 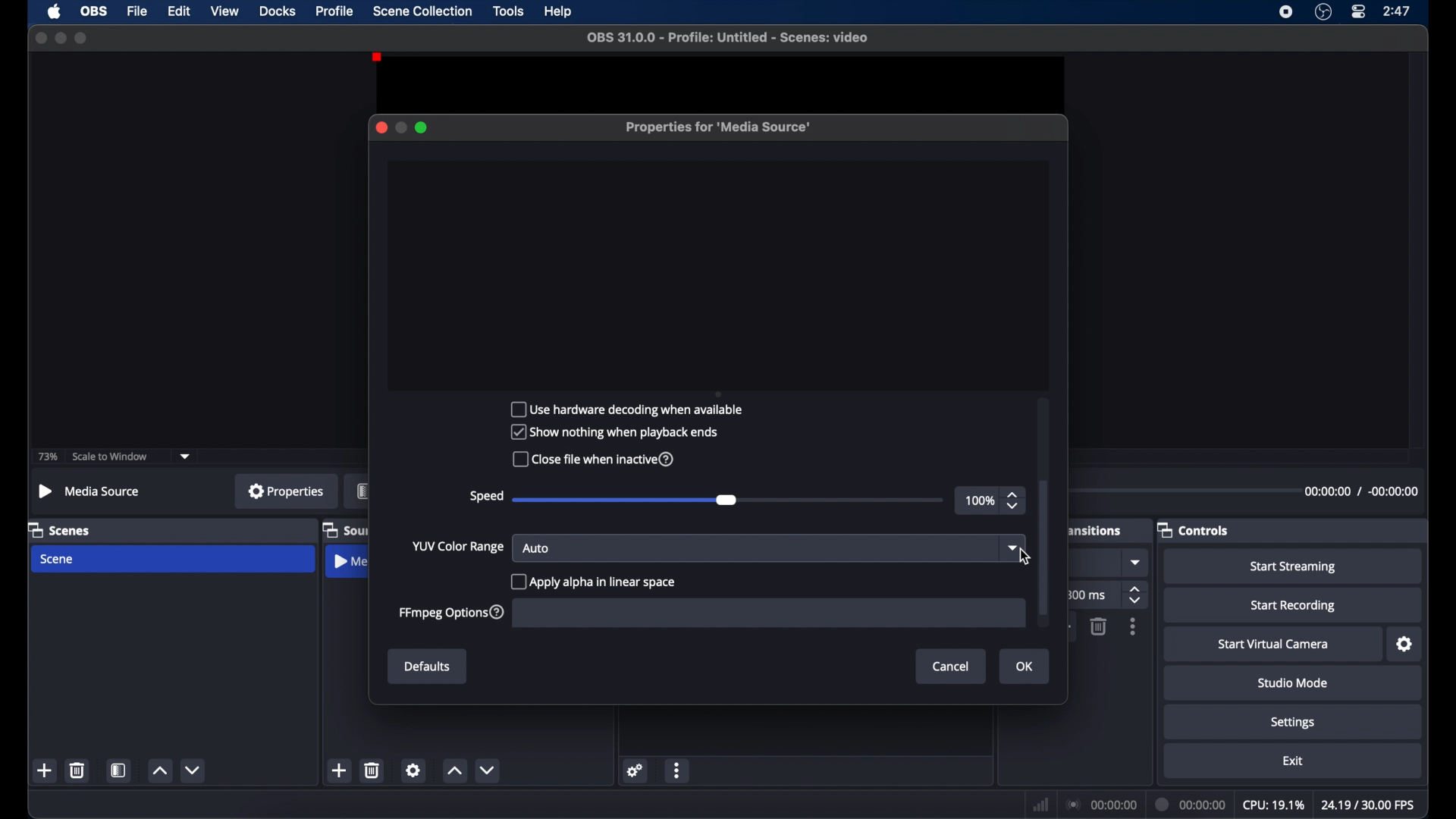 What do you see at coordinates (1040, 805) in the screenshot?
I see `network` at bounding box center [1040, 805].